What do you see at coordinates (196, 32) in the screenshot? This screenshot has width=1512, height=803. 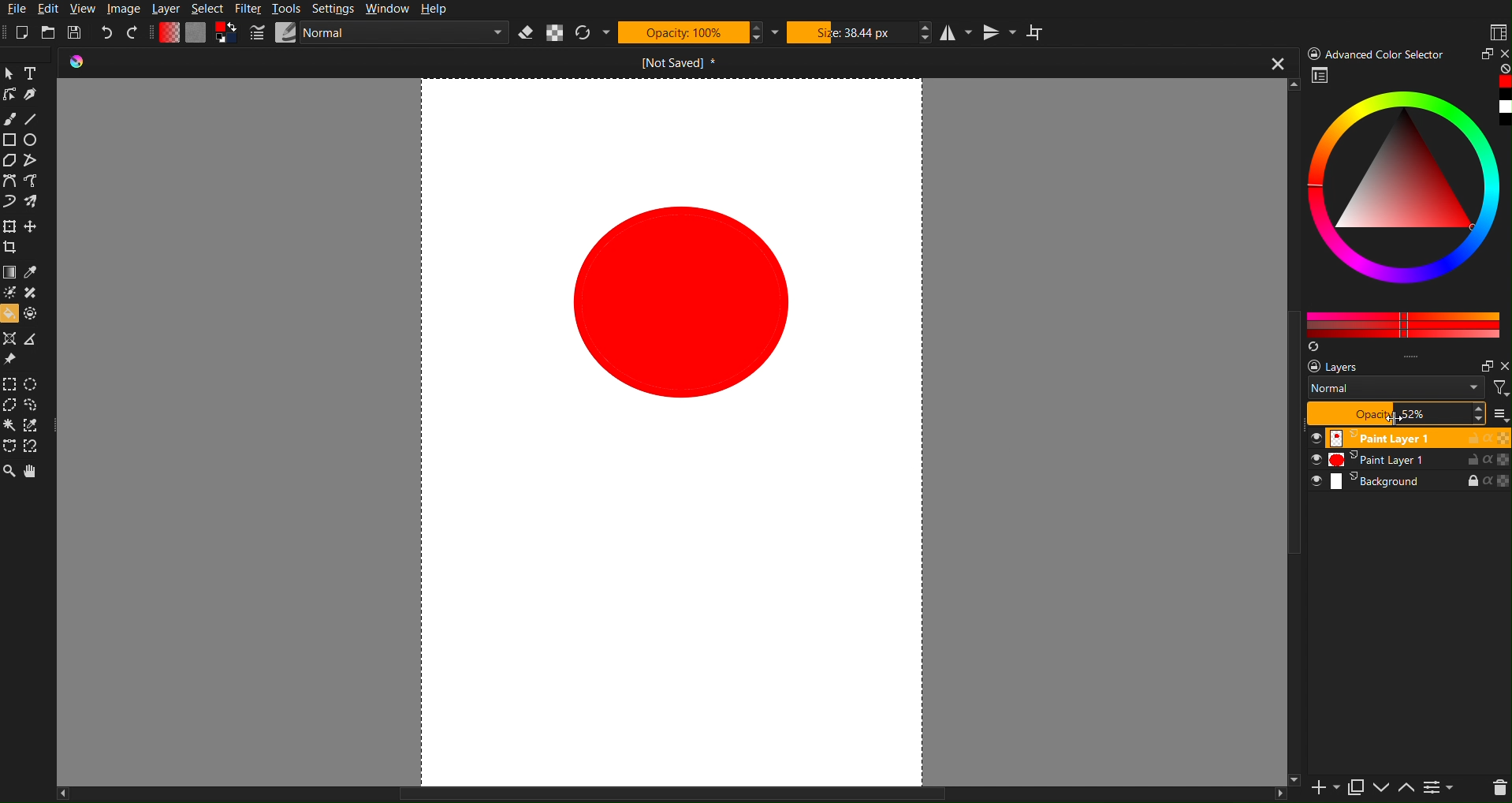 I see `Plain Canvas` at bounding box center [196, 32].